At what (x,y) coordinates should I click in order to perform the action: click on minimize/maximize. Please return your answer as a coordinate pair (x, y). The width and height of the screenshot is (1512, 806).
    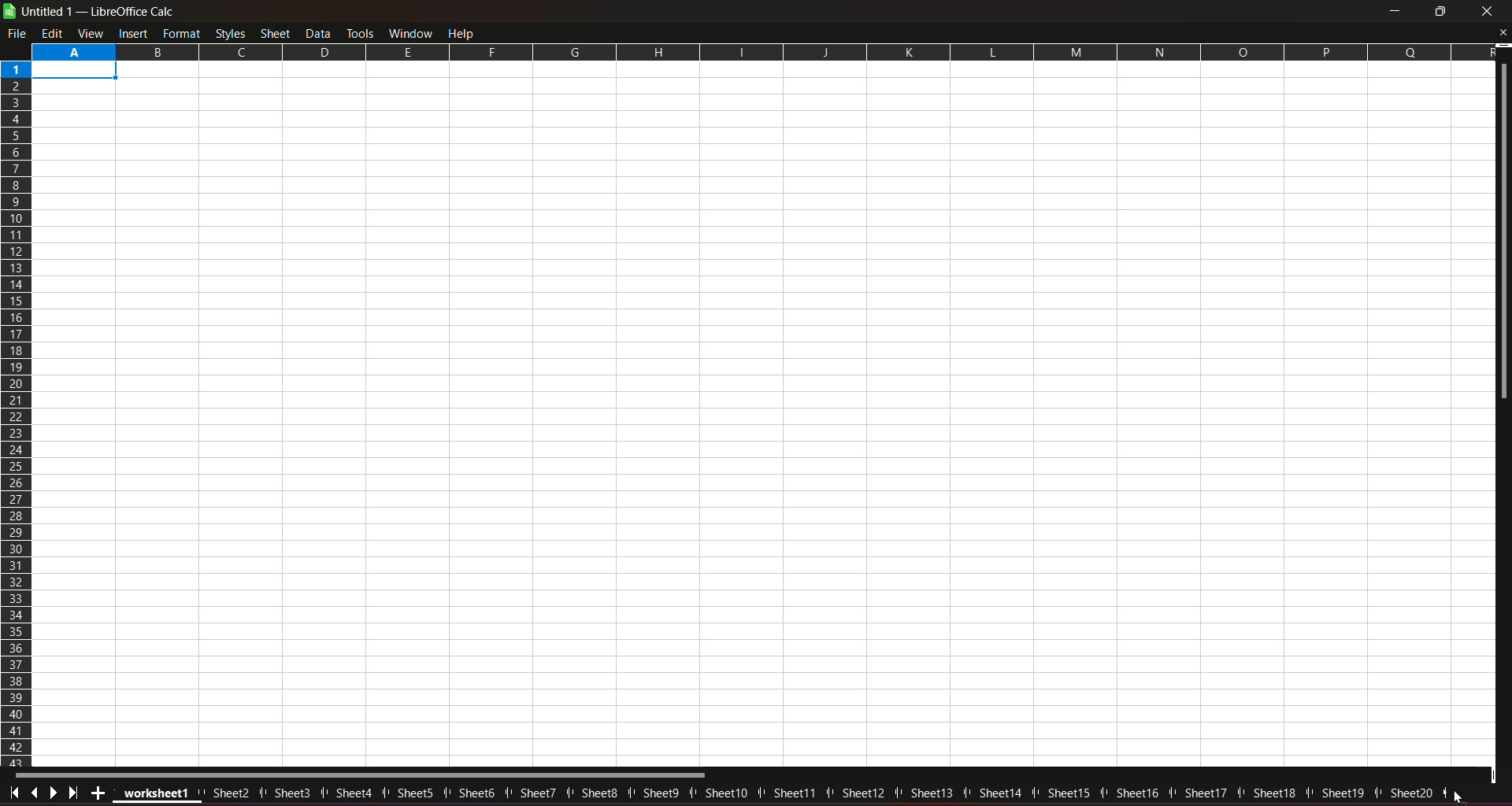
    Looking at the image, I should click on (1438, 12).